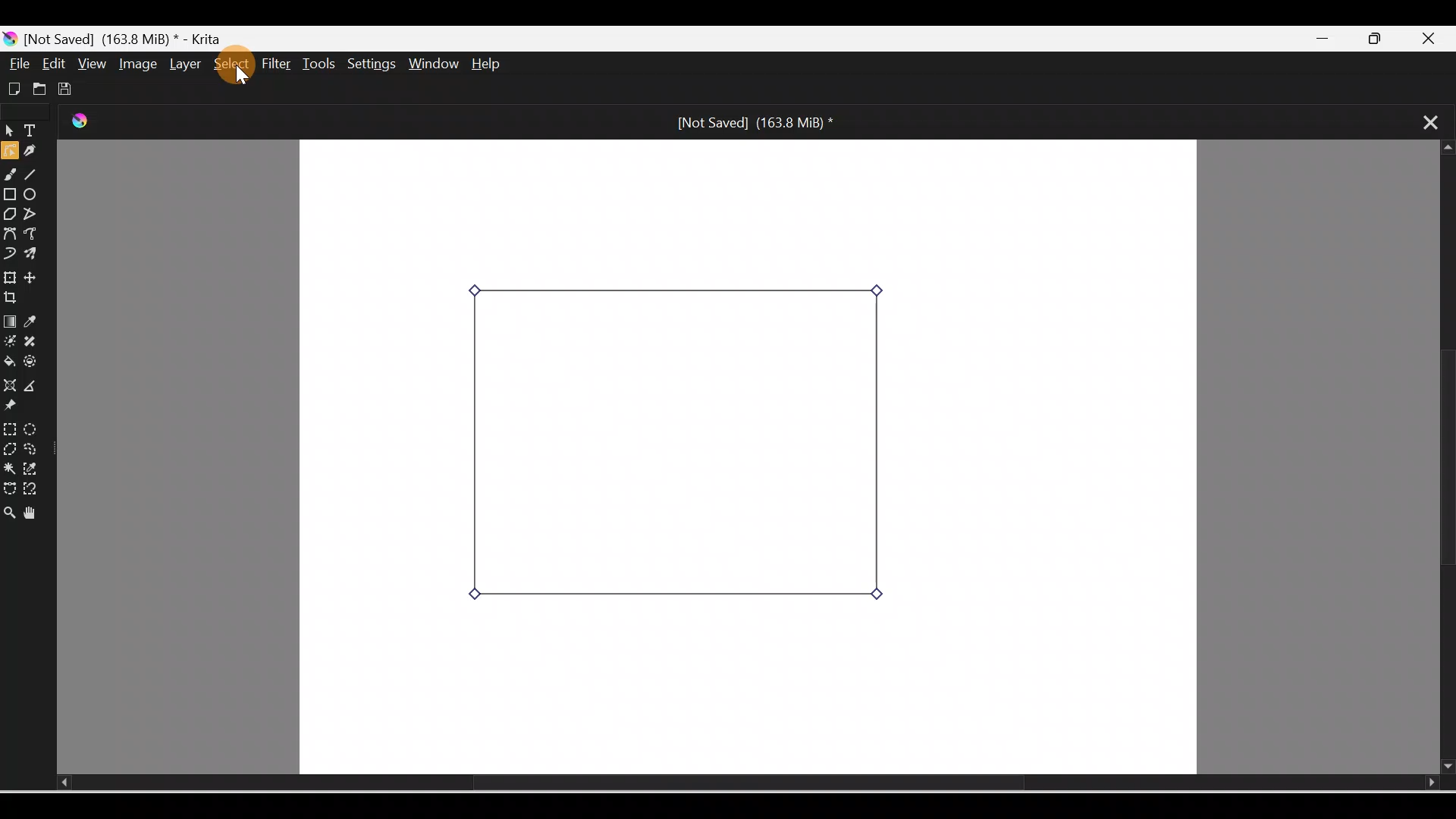  Describe the element at coordinates (1436, 36) in the screenshot. I see `Close` at that location.